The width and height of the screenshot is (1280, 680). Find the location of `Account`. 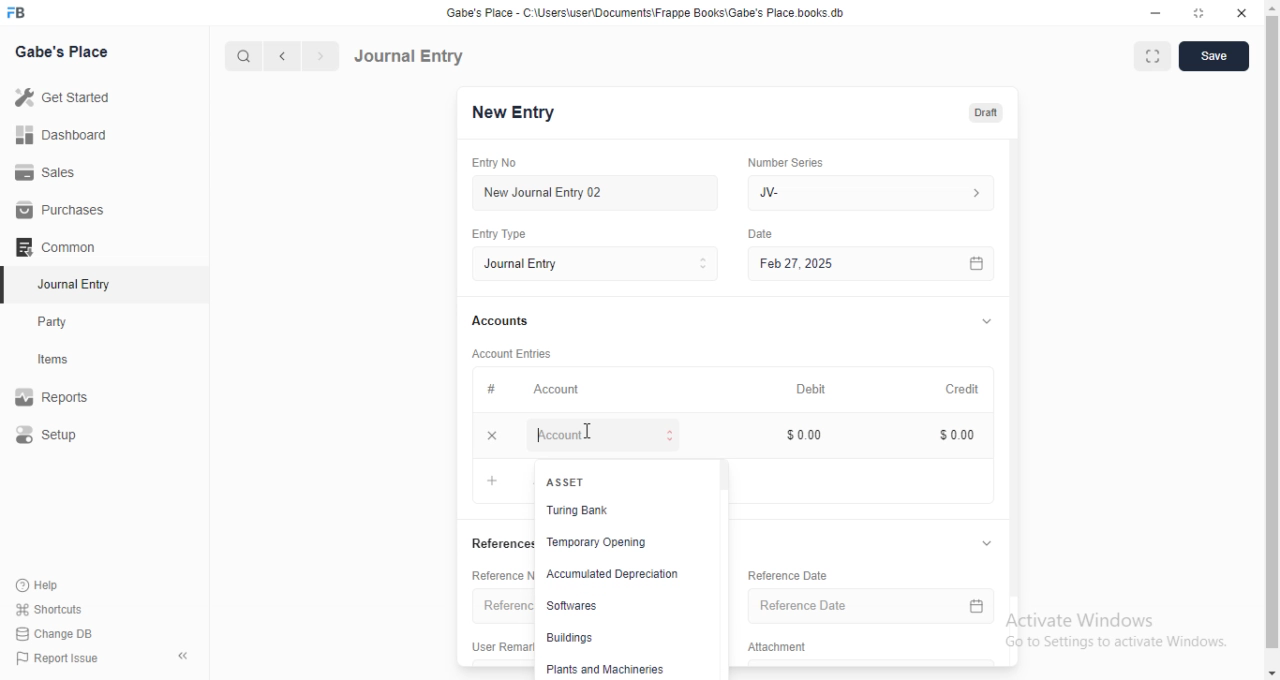

Account is located at coordinates (565, 390).